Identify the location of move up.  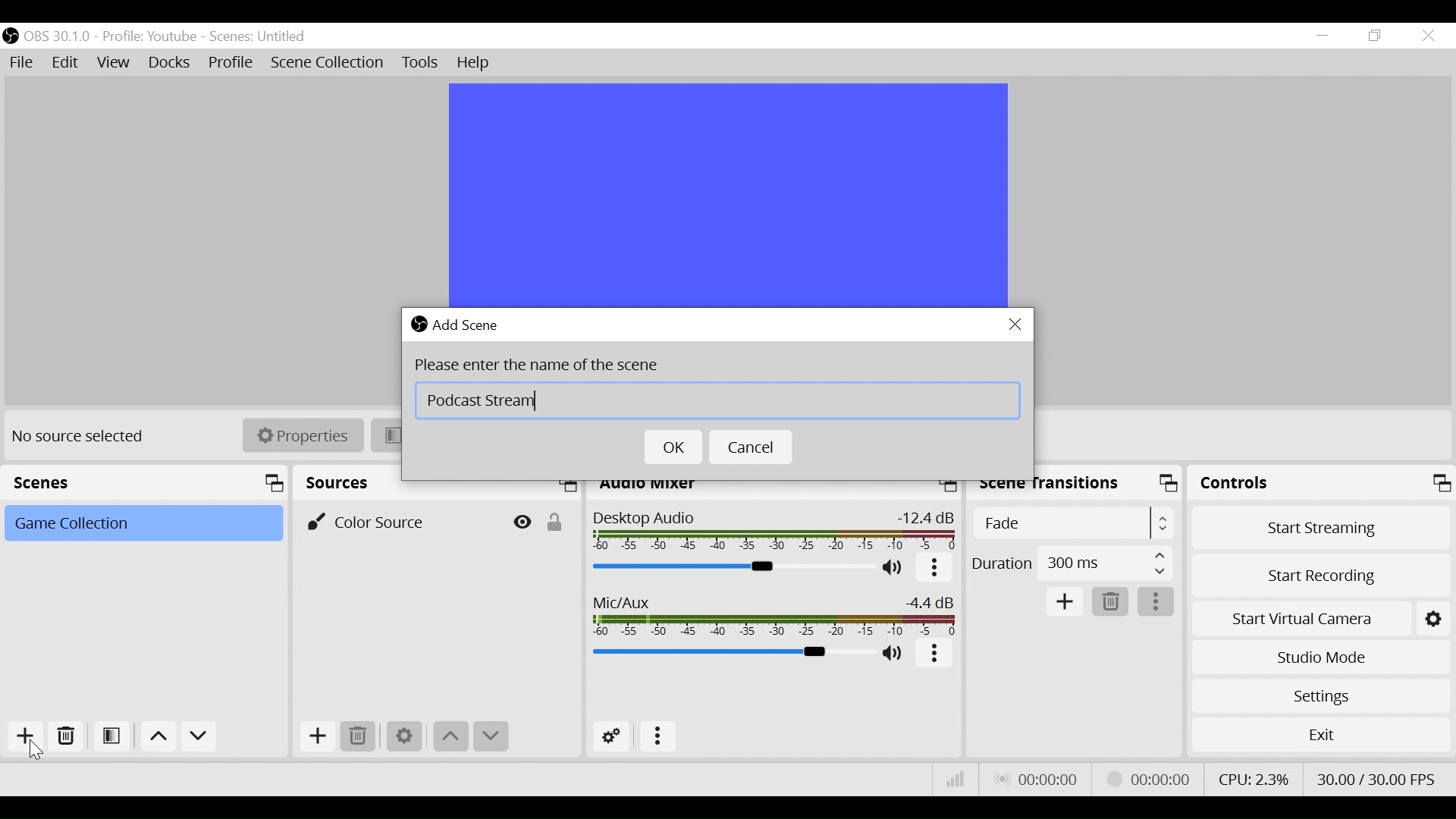
(156, 736).